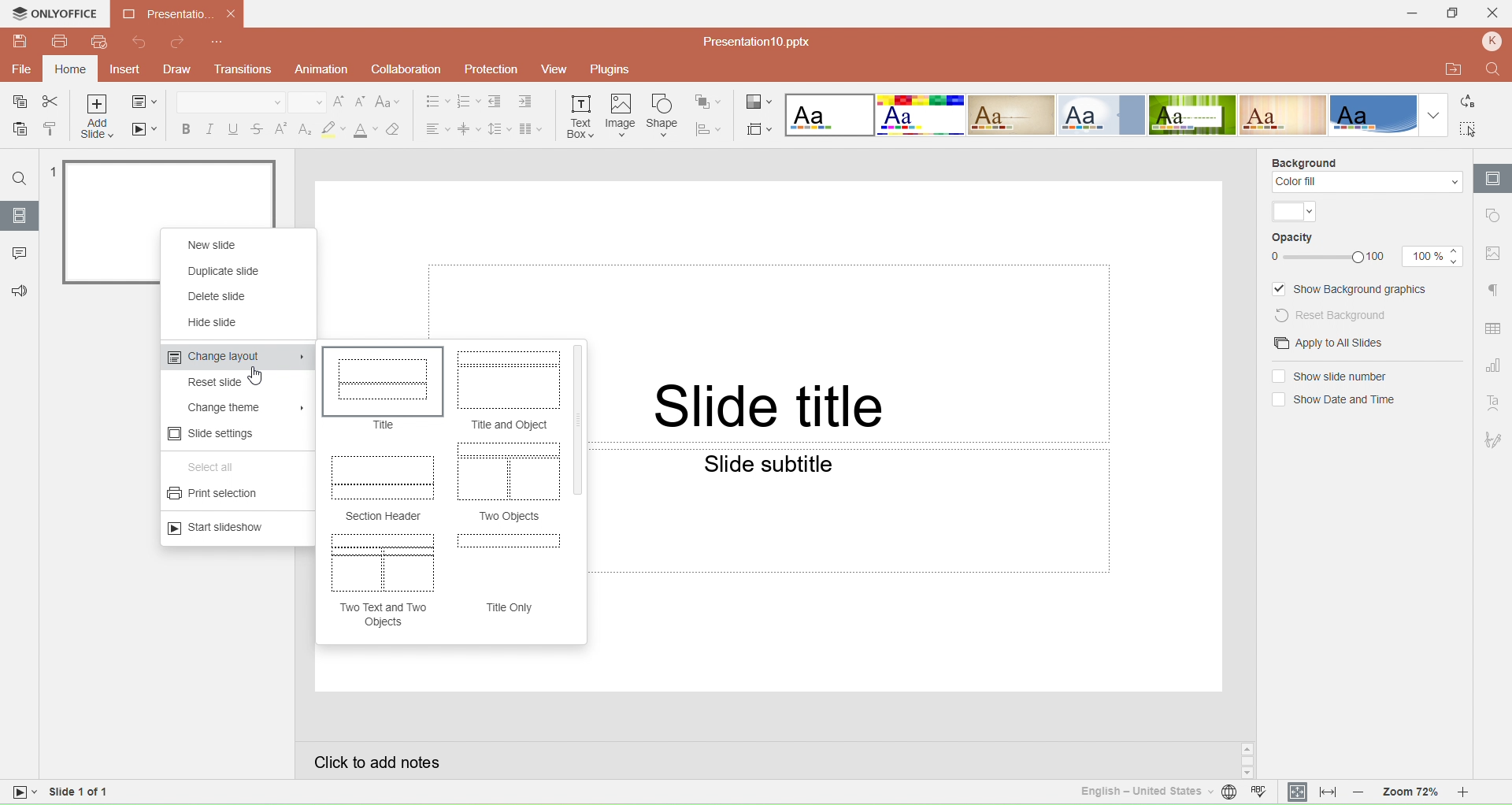  What do you see at coordinates (304, 128) in the screenshot?
I see `Subscript` at bounding box center [304, 128].